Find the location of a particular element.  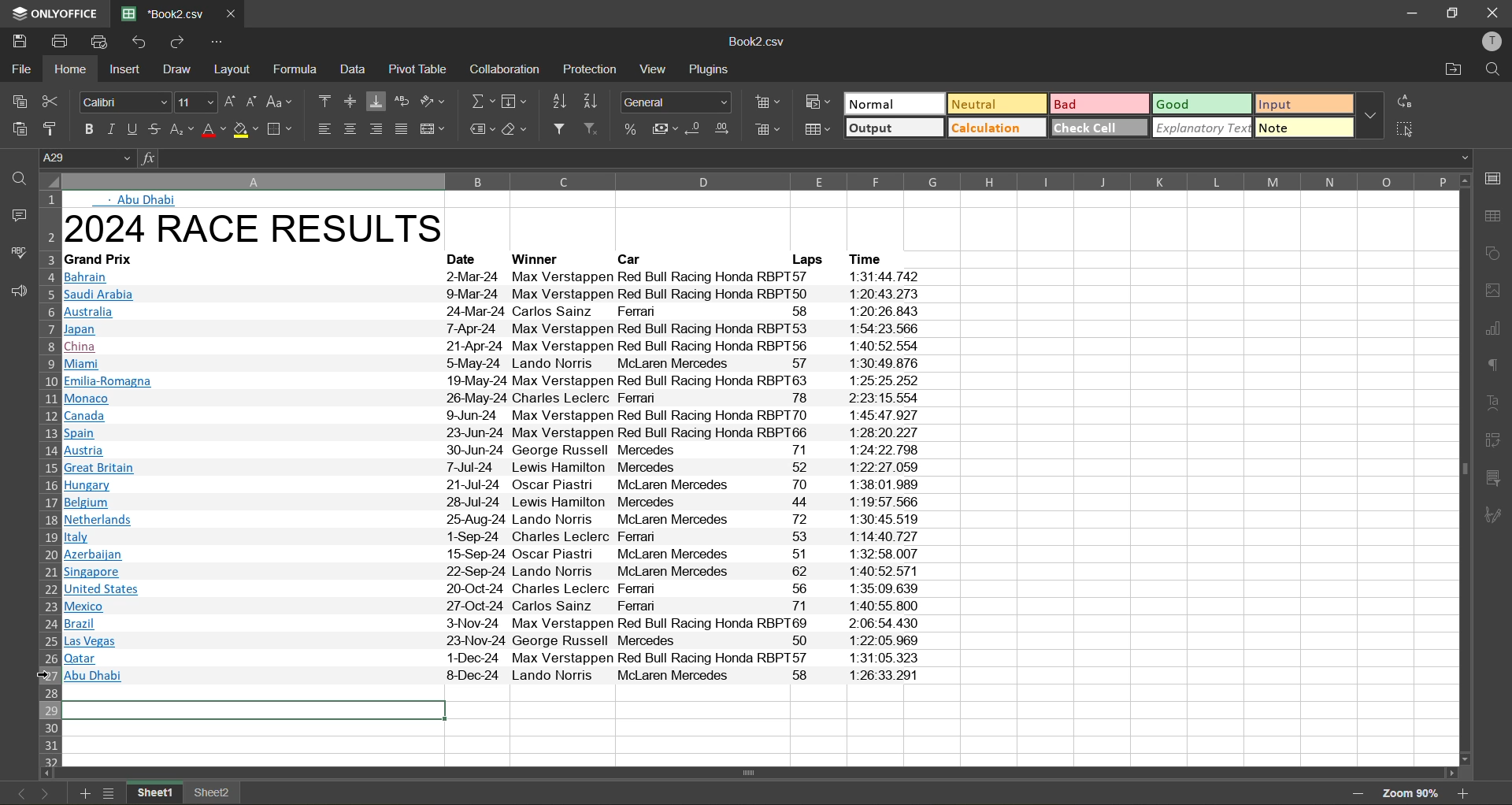

Abu Dhabi is located at coordinates (142, 201).